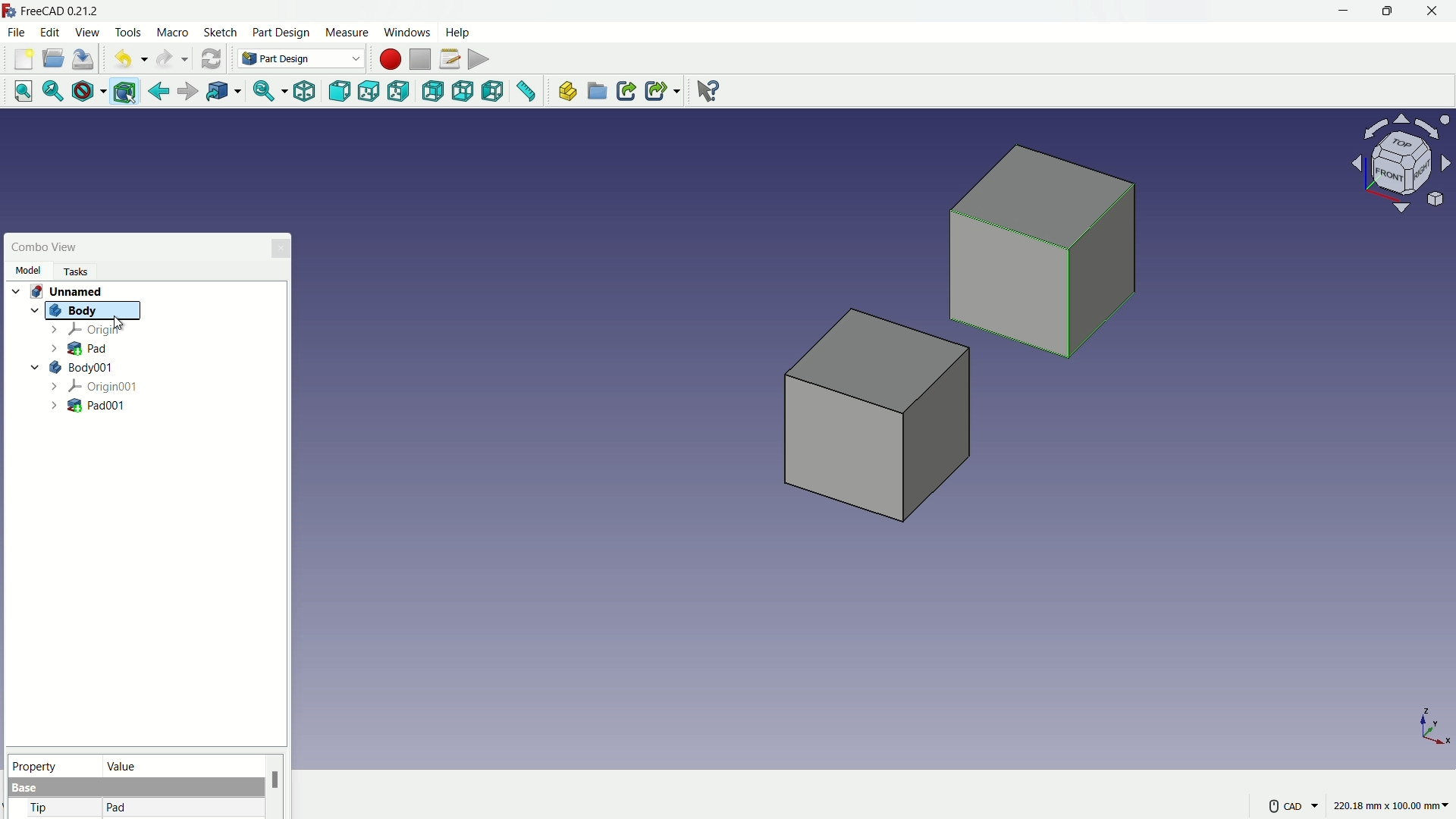 The height and width of the screenshot is (819, 1456). What do you see at coordinates (89, 406) in the screenshot?
I see `pad001` at bounding box center [89, 406].